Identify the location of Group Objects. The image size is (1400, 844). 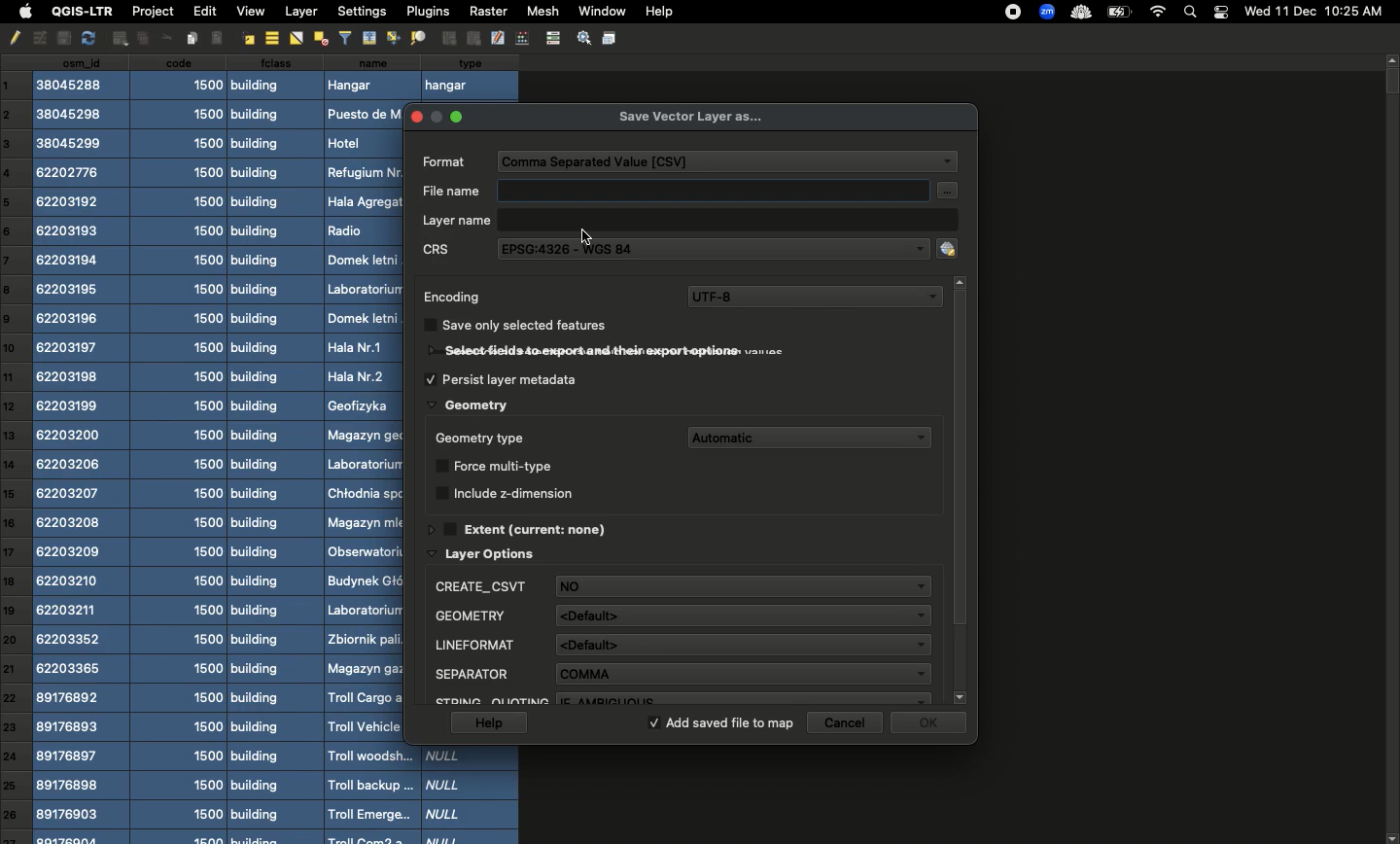
(448, 38).